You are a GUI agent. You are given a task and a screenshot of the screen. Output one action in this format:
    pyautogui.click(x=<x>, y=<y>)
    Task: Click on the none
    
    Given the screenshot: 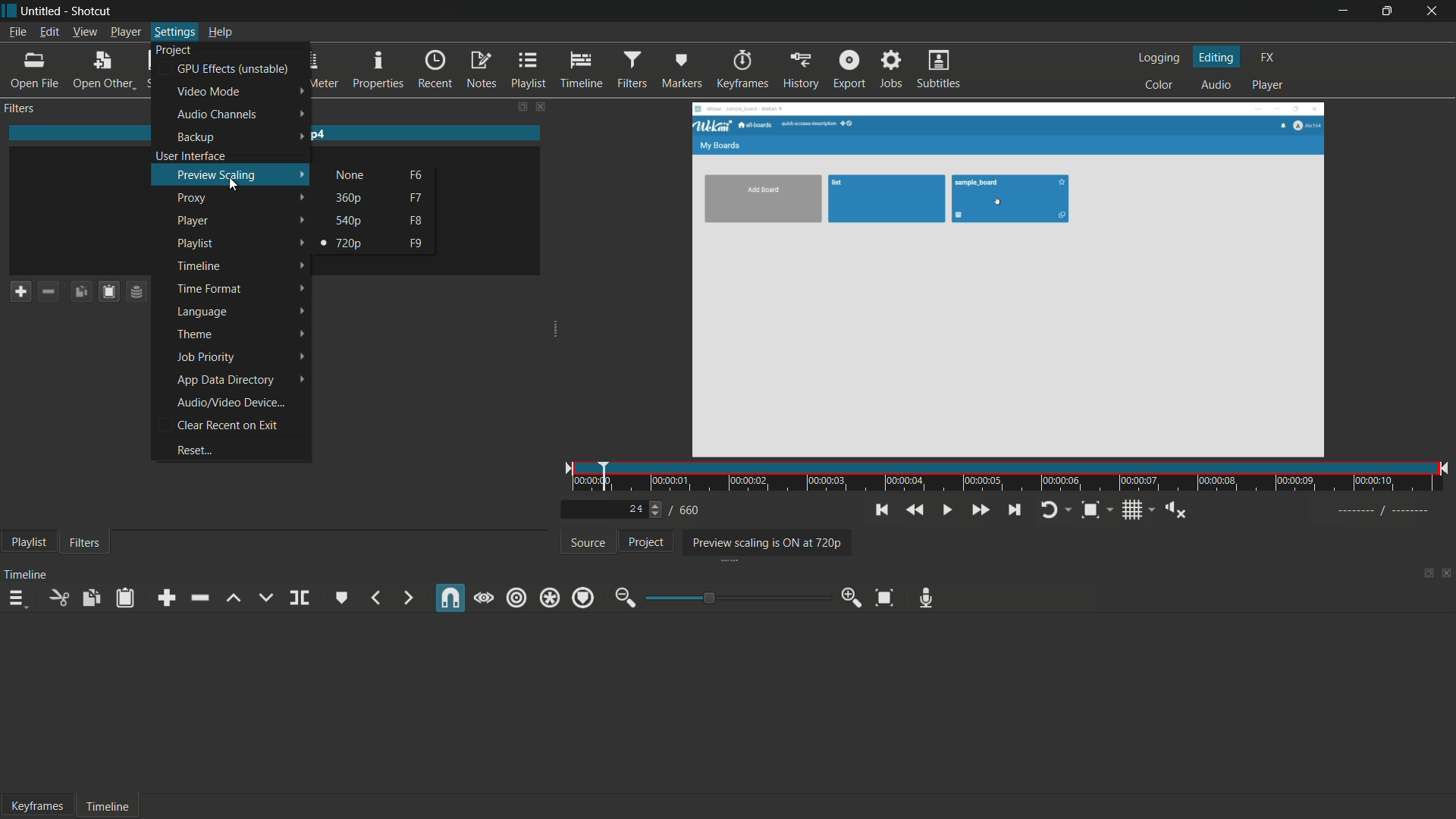 What is the action you would take?
    pyautogui.click(x=351, y=175)
    